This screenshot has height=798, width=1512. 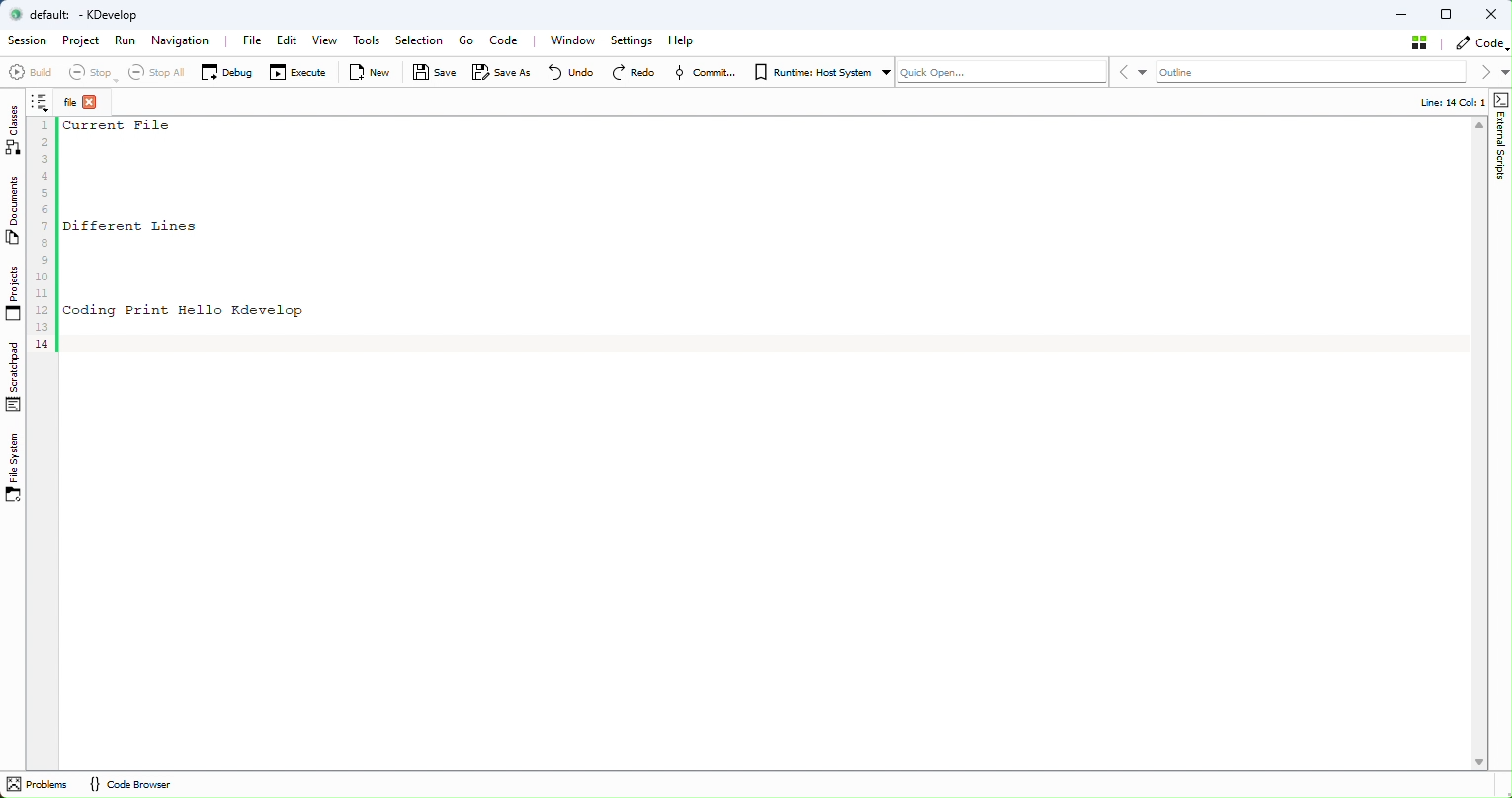 I want to click on default KDevelop, so click(x=82, y=15).